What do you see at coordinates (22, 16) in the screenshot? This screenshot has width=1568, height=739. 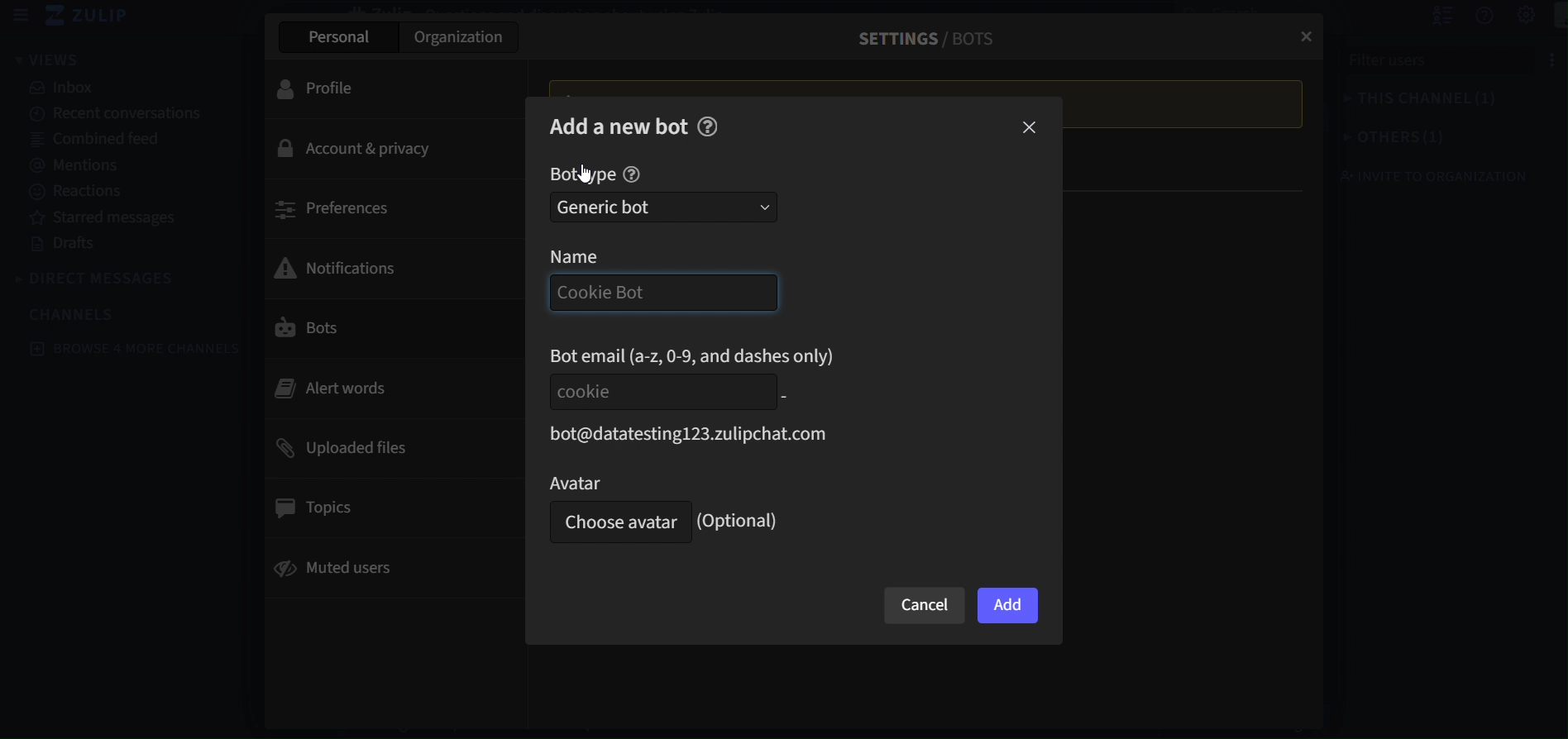 I see `hide sidebar` at bounding box center [22, 16].